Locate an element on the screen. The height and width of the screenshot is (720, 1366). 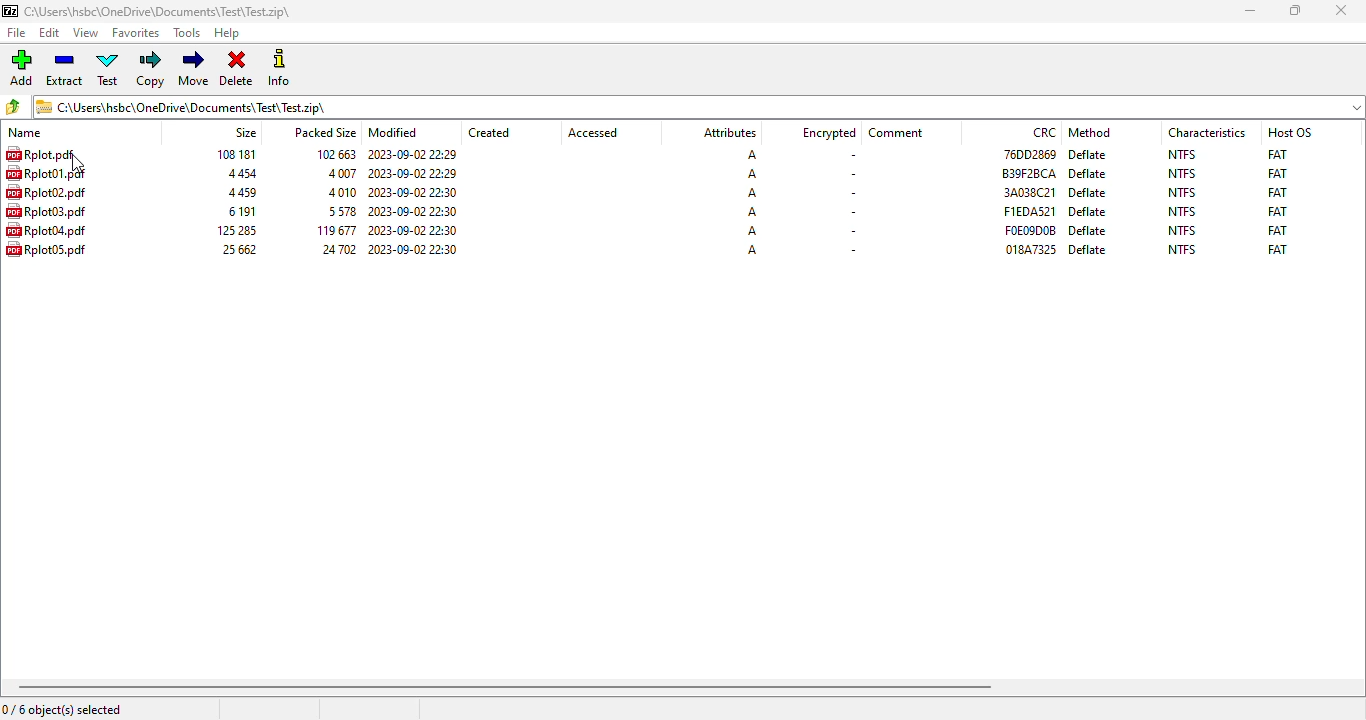
add is located at coordinates (21, 68).